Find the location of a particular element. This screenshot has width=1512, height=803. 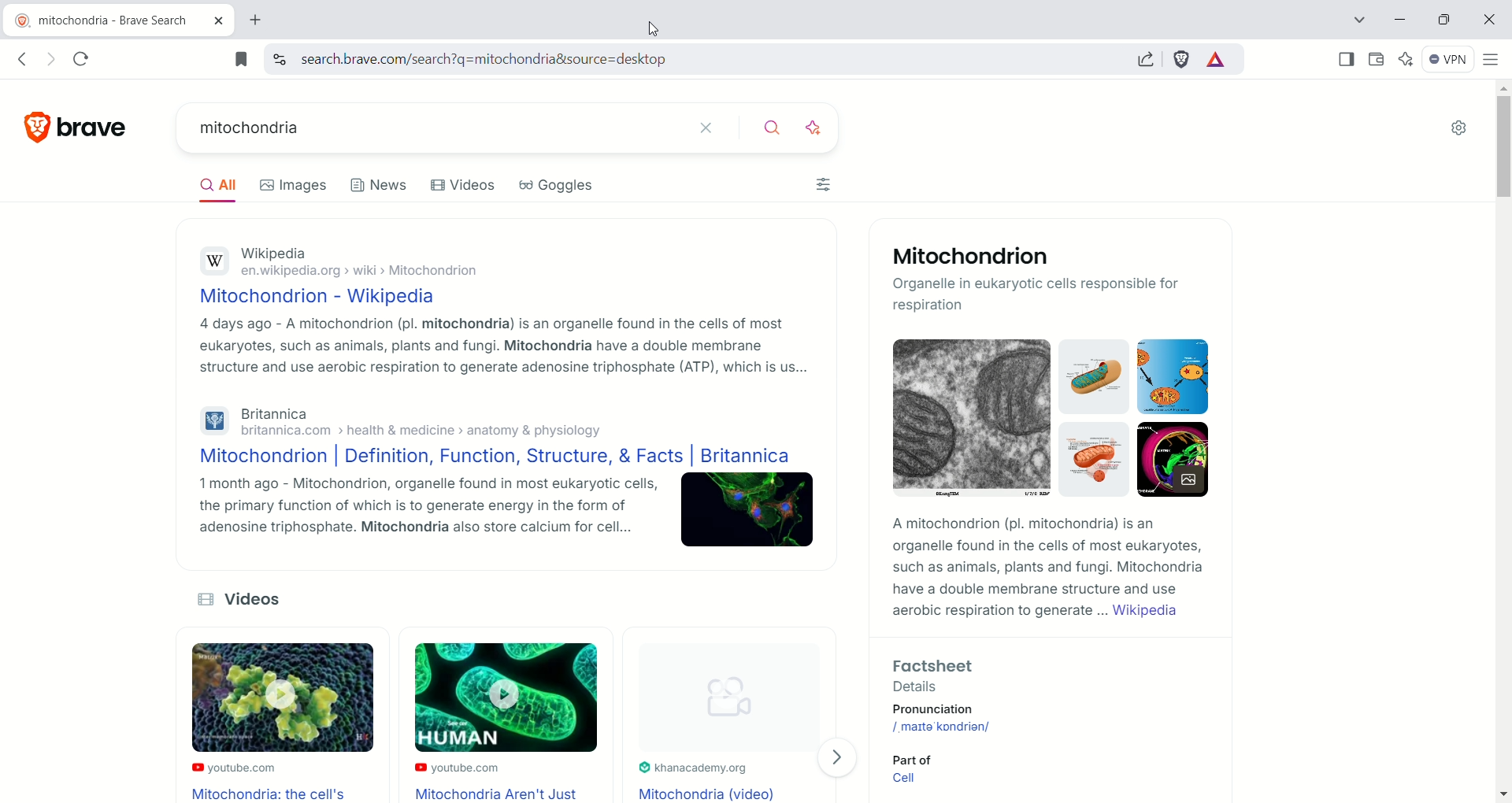

leo AI is located at coordinates (1410, 59).